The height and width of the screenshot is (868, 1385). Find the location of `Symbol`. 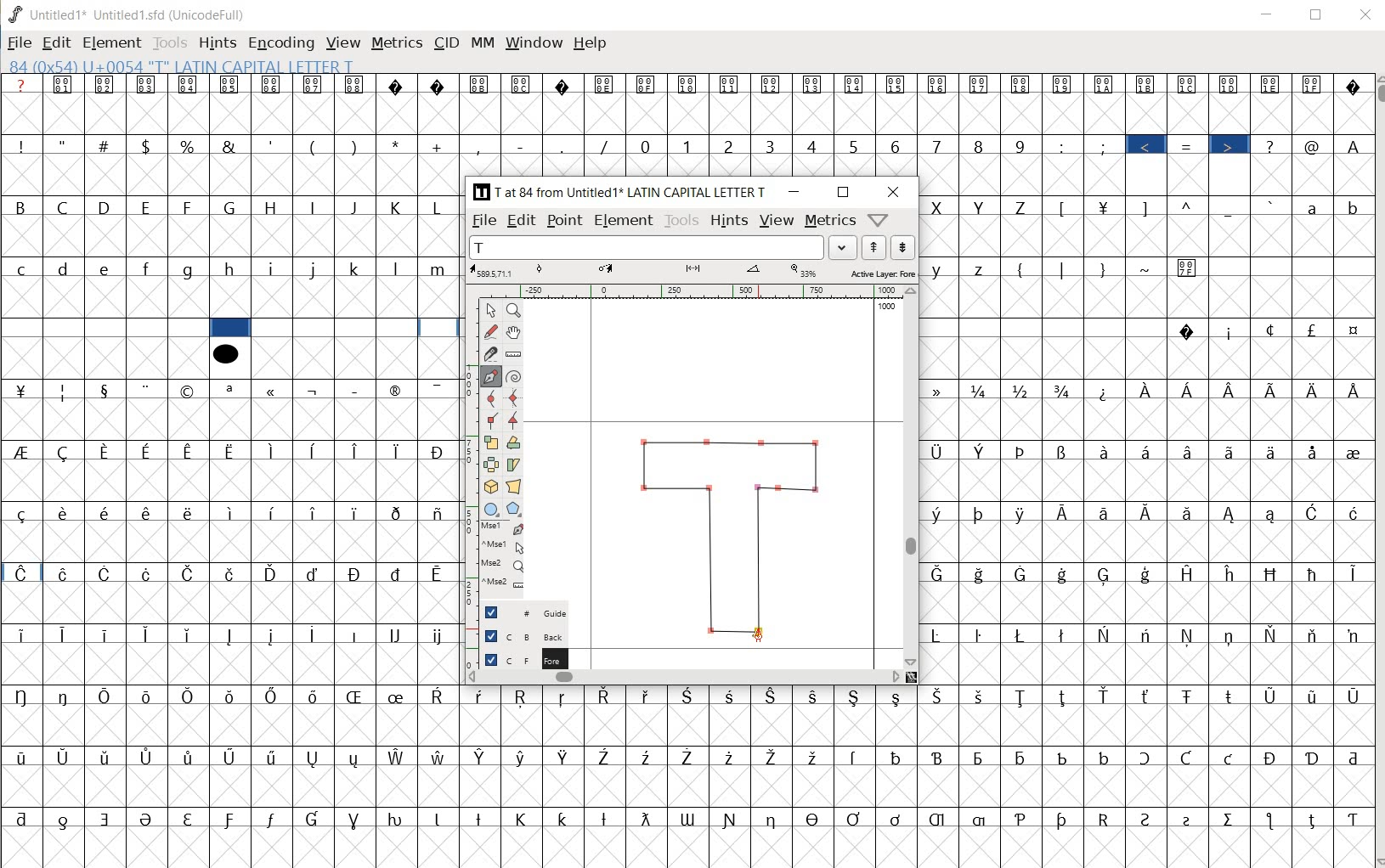

Symbol is located at coordinates (439, 572).